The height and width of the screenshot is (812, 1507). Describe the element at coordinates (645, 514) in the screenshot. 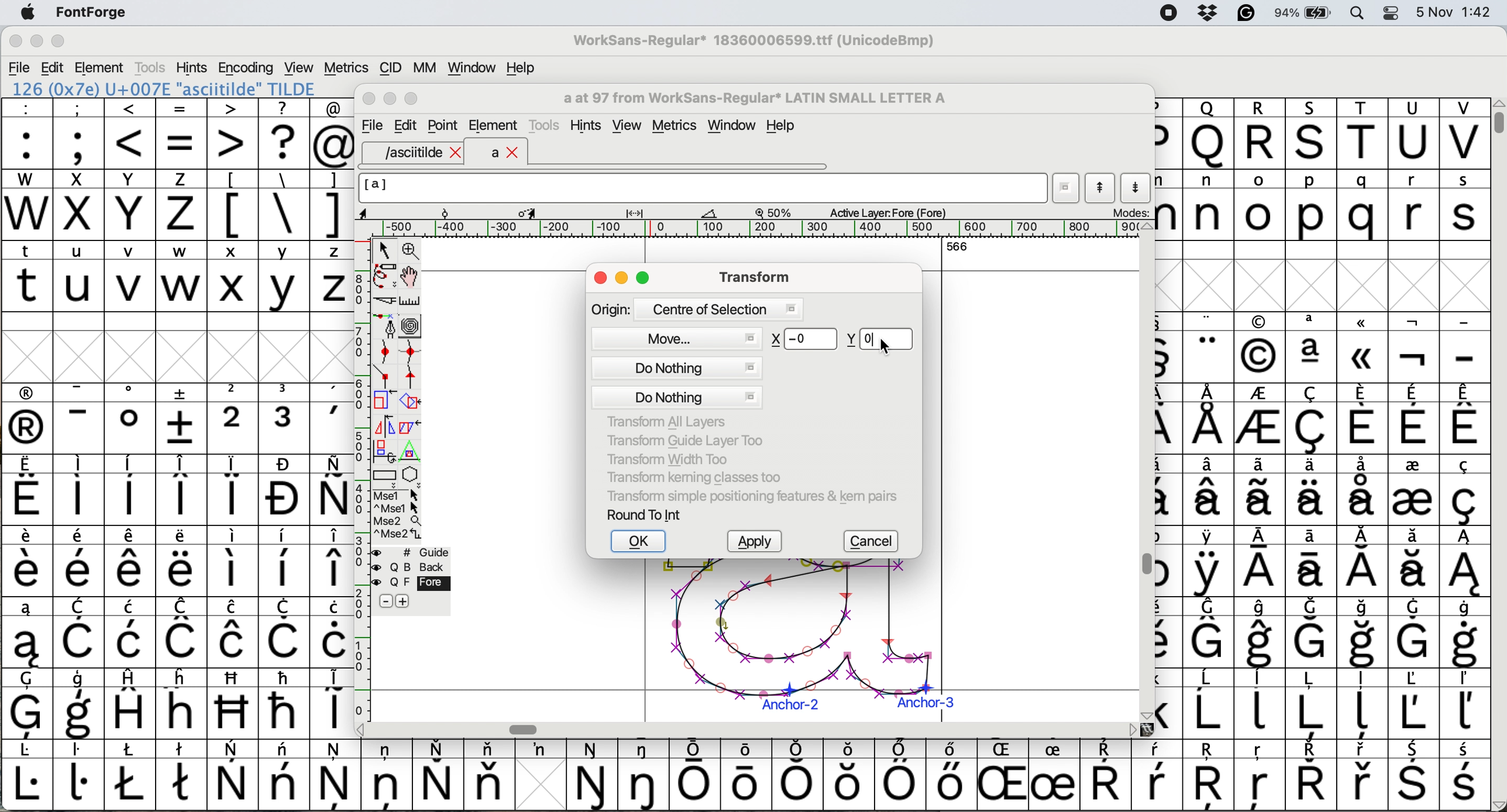

I see `round to int` at that location.